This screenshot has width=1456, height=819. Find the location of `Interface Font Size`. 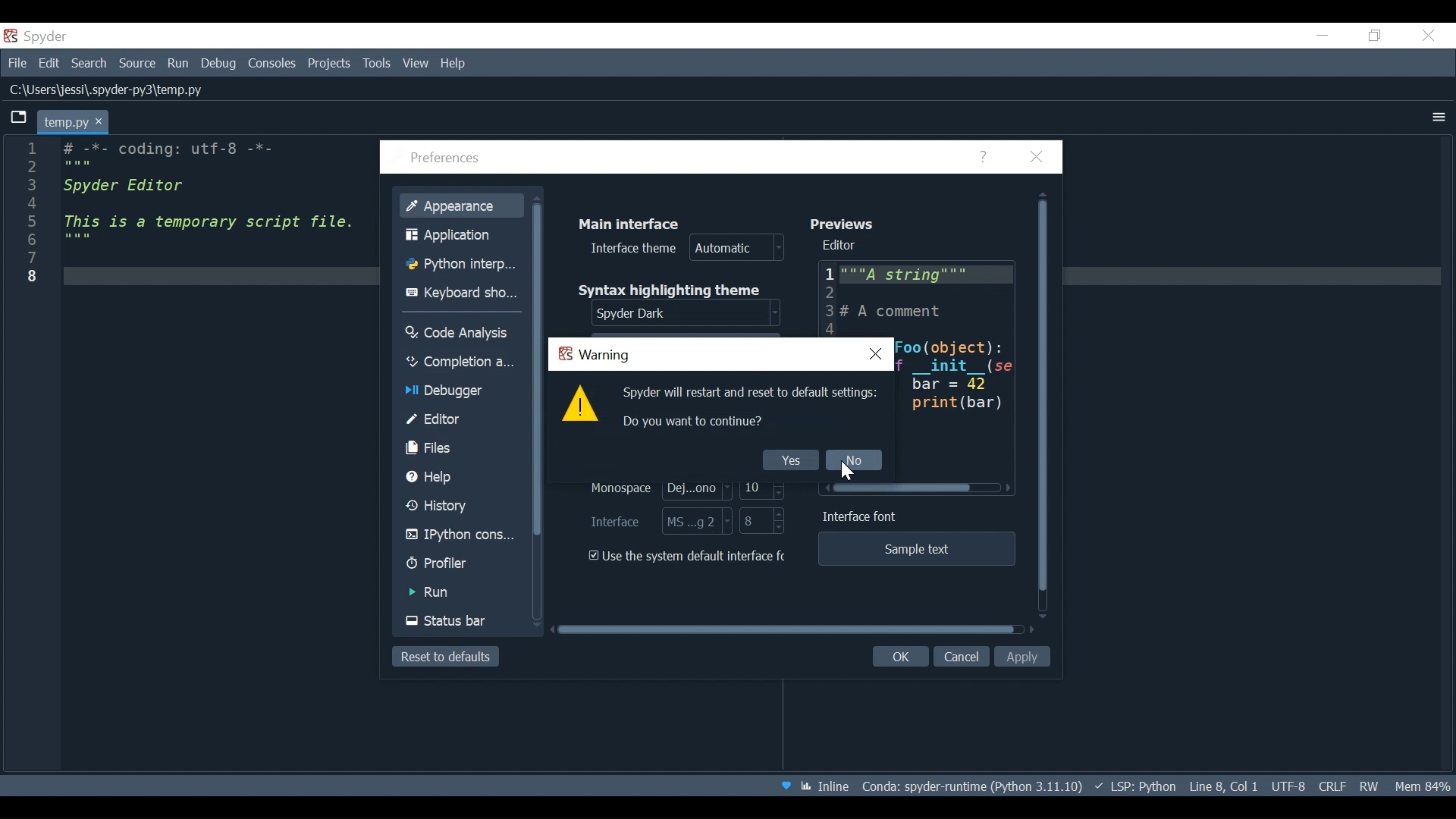

Interface Font Size is located at coordinates (763, 522).